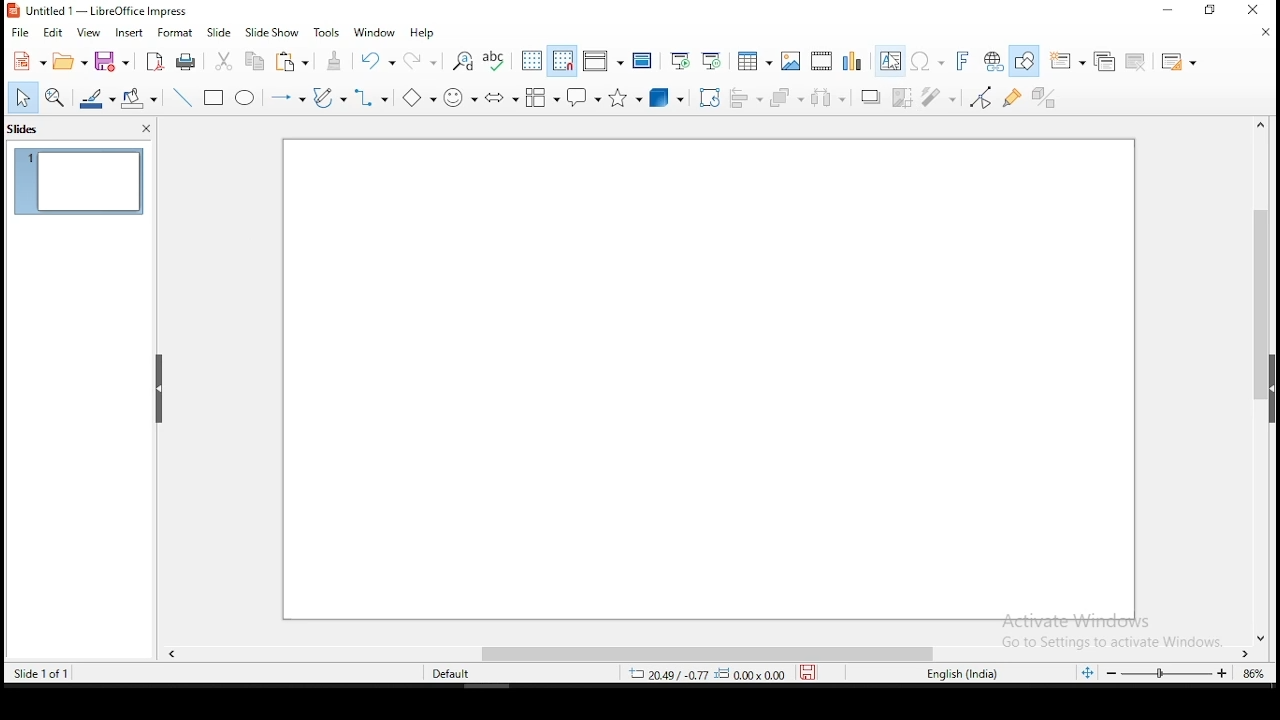 The image size is (1280, 720). Describe the element at coordinates (214, 98) in the screenshot. I see `rectangle tool` at that location.